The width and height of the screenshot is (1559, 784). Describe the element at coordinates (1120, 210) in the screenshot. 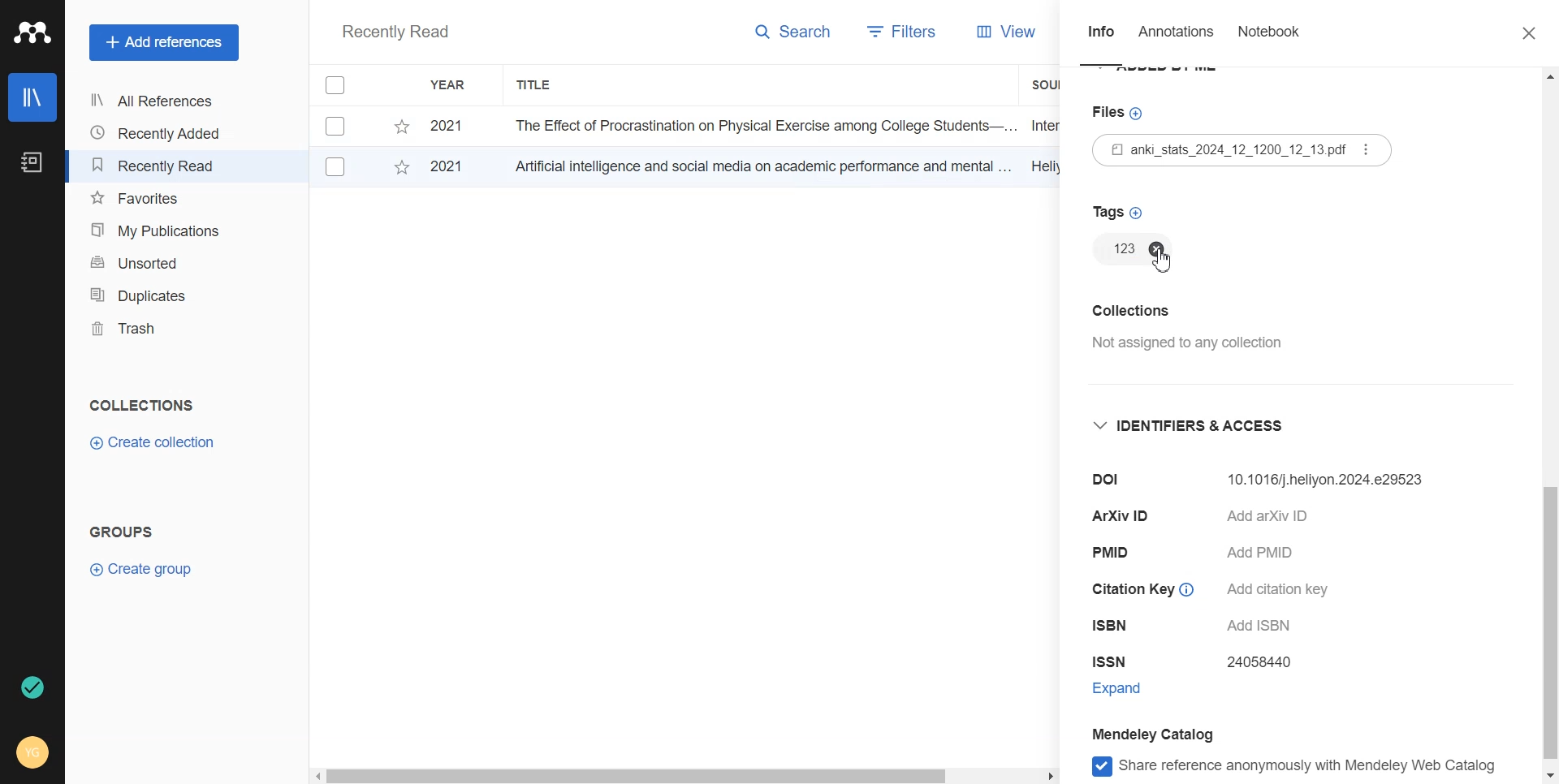

I see `Tags` at that location.